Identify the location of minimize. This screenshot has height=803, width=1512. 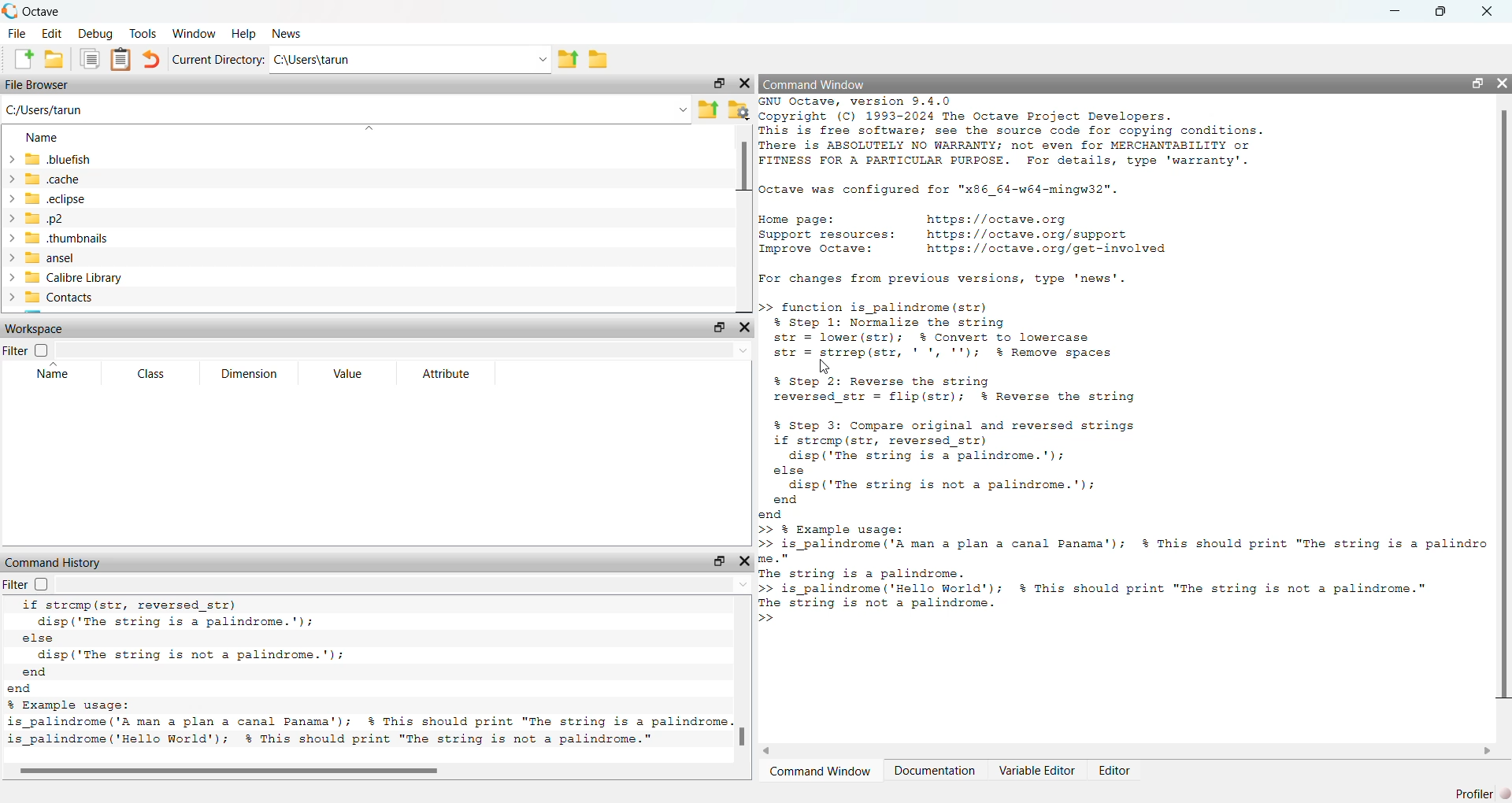
(1391, 9).